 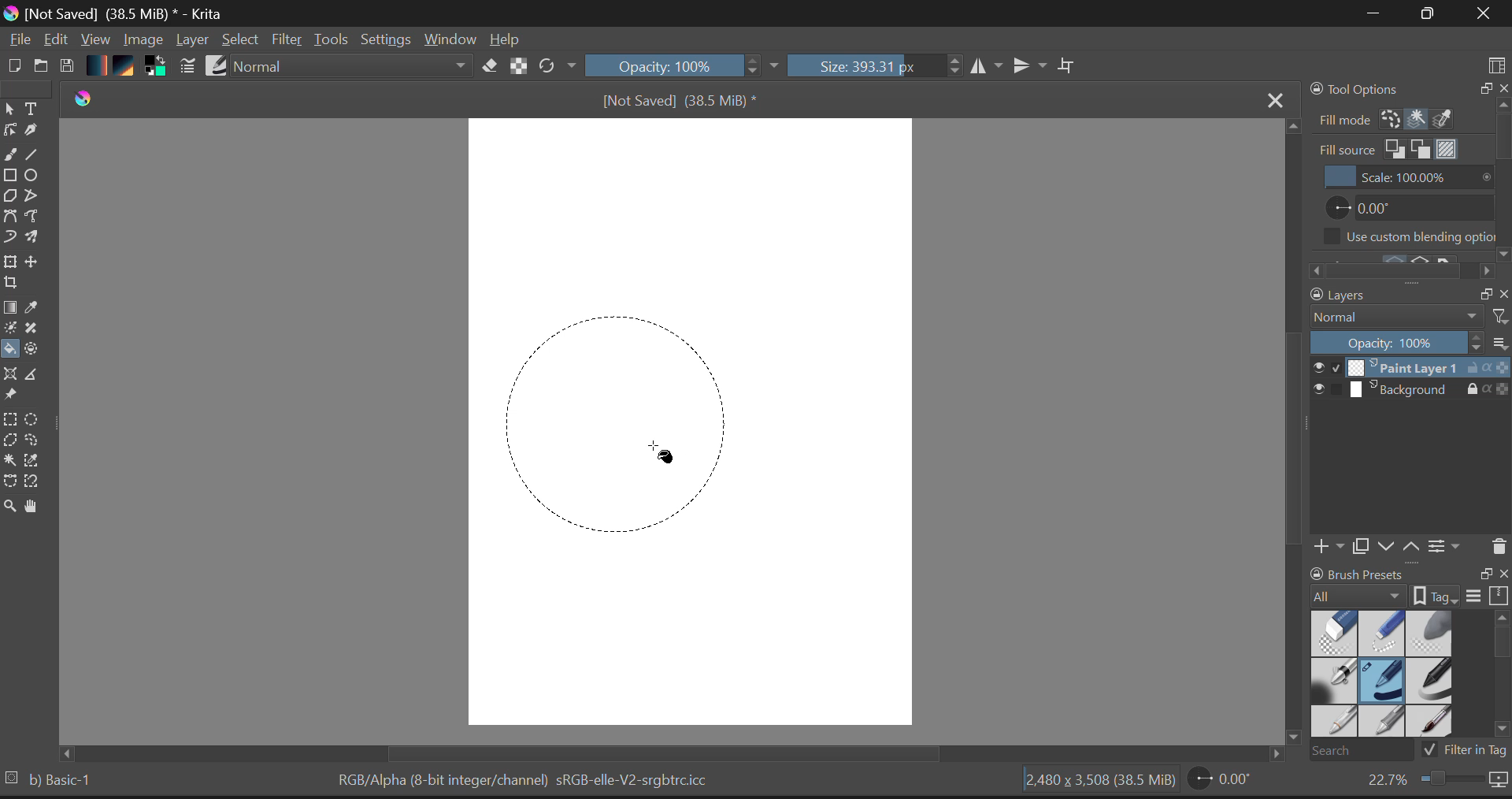 What do you see at coordinates (287, 40) in the screenshot?
I see `Filter` at bounding box center [287, 40].